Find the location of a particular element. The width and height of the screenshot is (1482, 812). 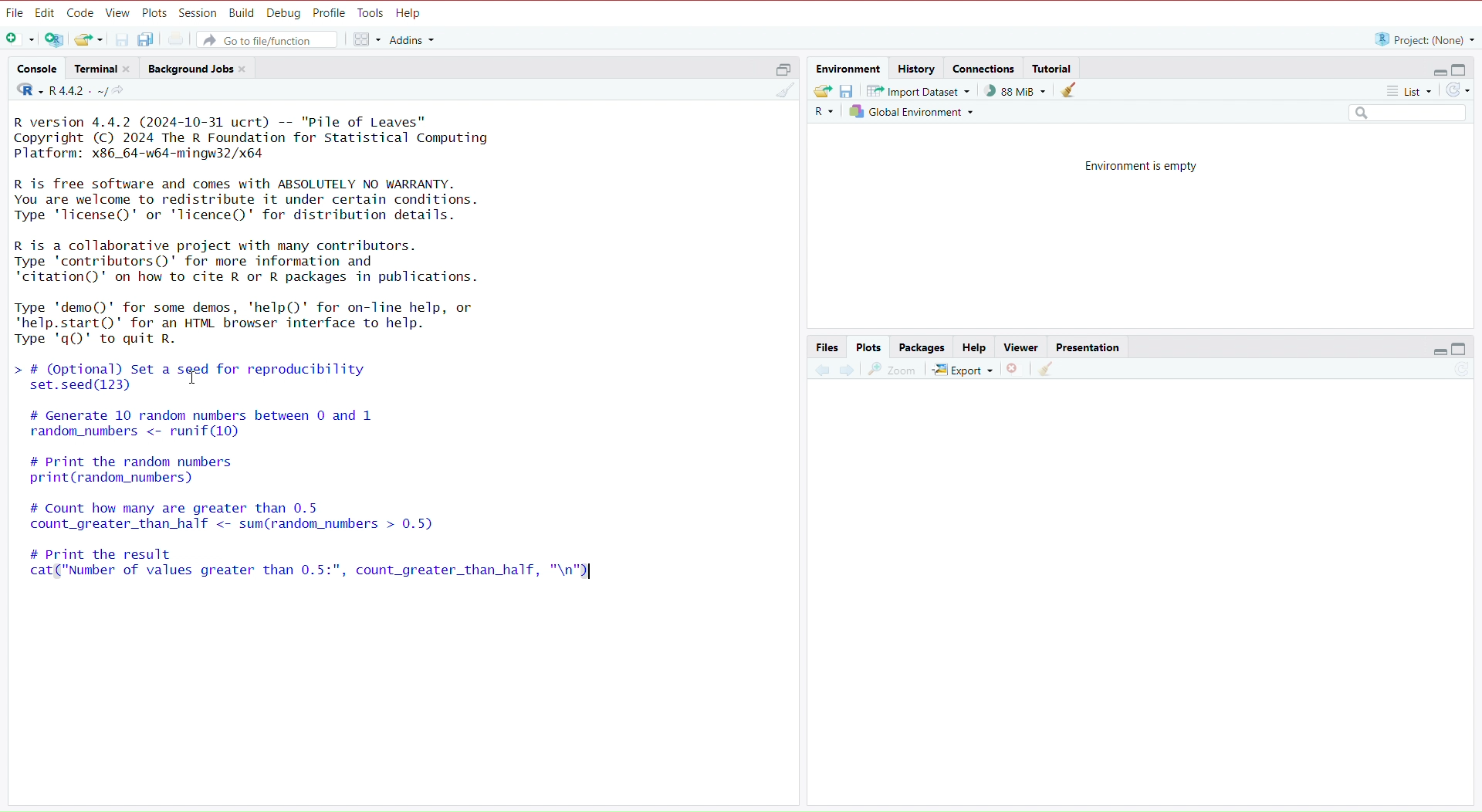

Tools is located at coordinates (373, 12).